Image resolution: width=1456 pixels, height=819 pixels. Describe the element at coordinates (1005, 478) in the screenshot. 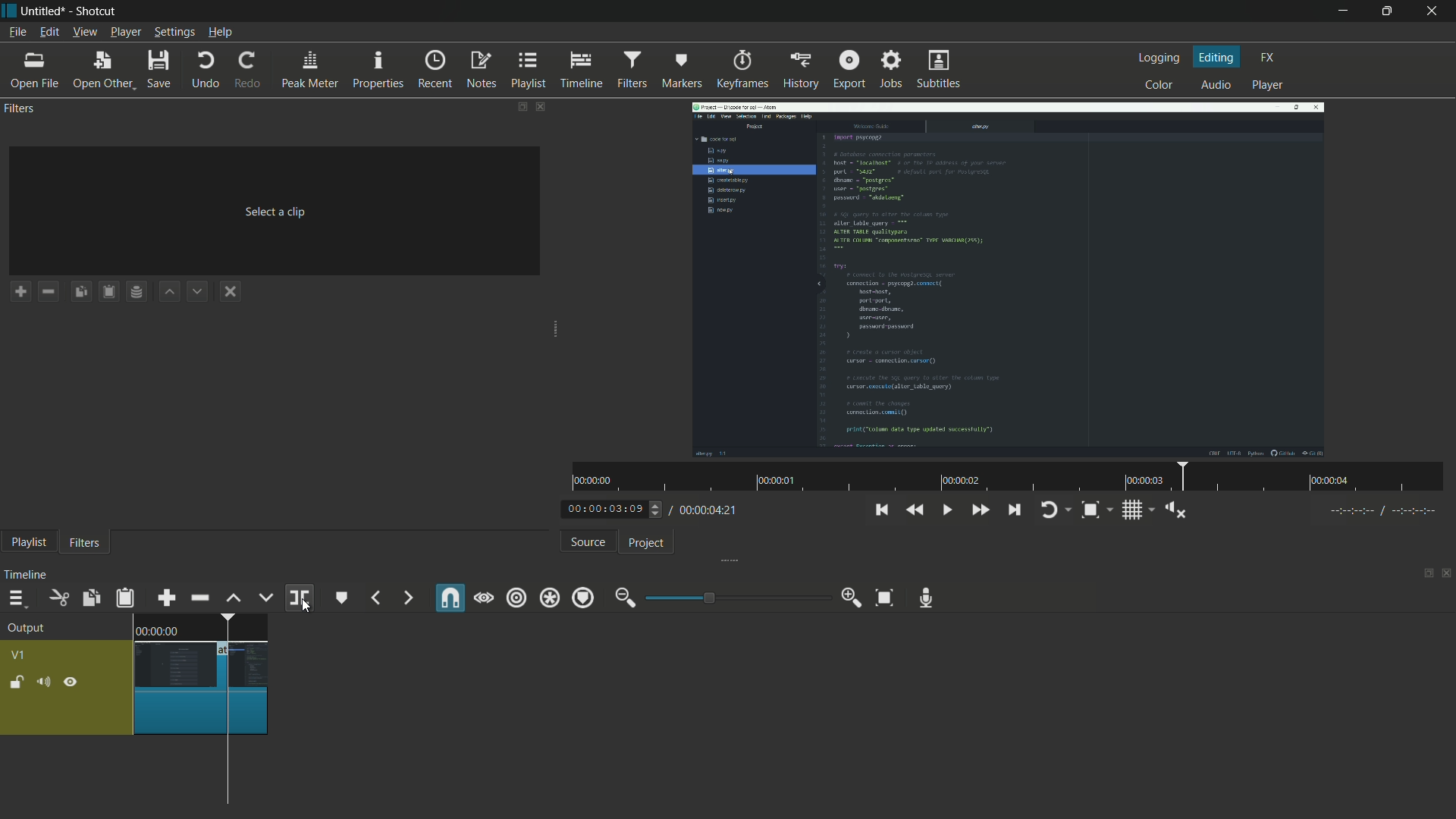

I see `time` at that location.